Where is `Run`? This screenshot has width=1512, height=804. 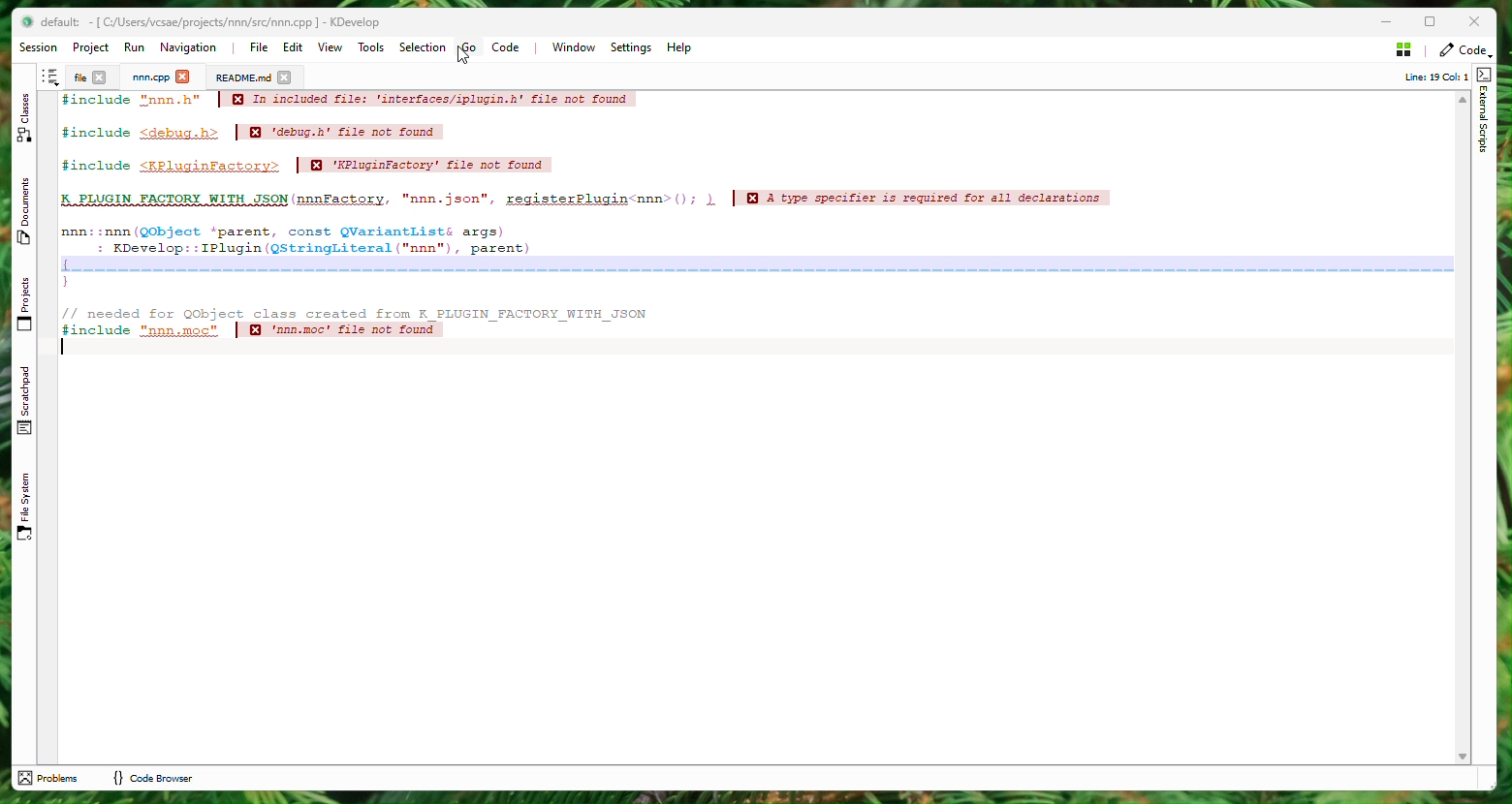 Run is located at coordinates (134, 46).